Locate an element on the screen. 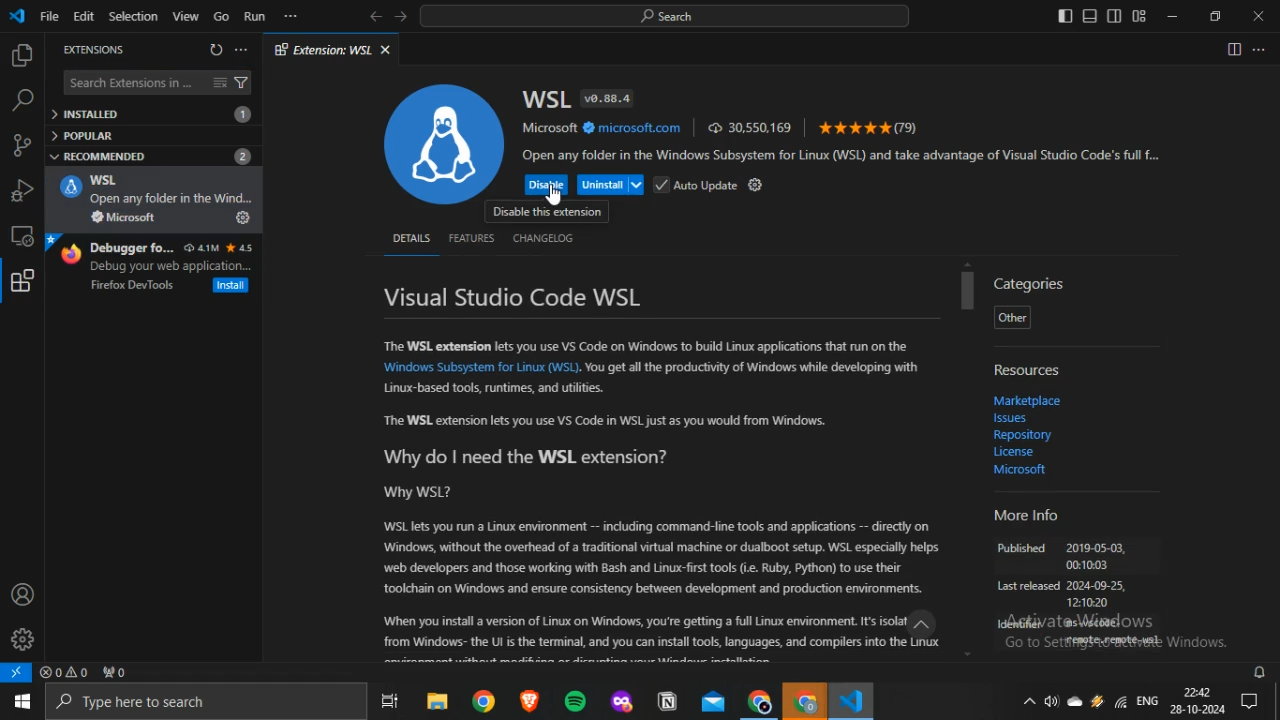  screen is located at coordinates (22, 236).